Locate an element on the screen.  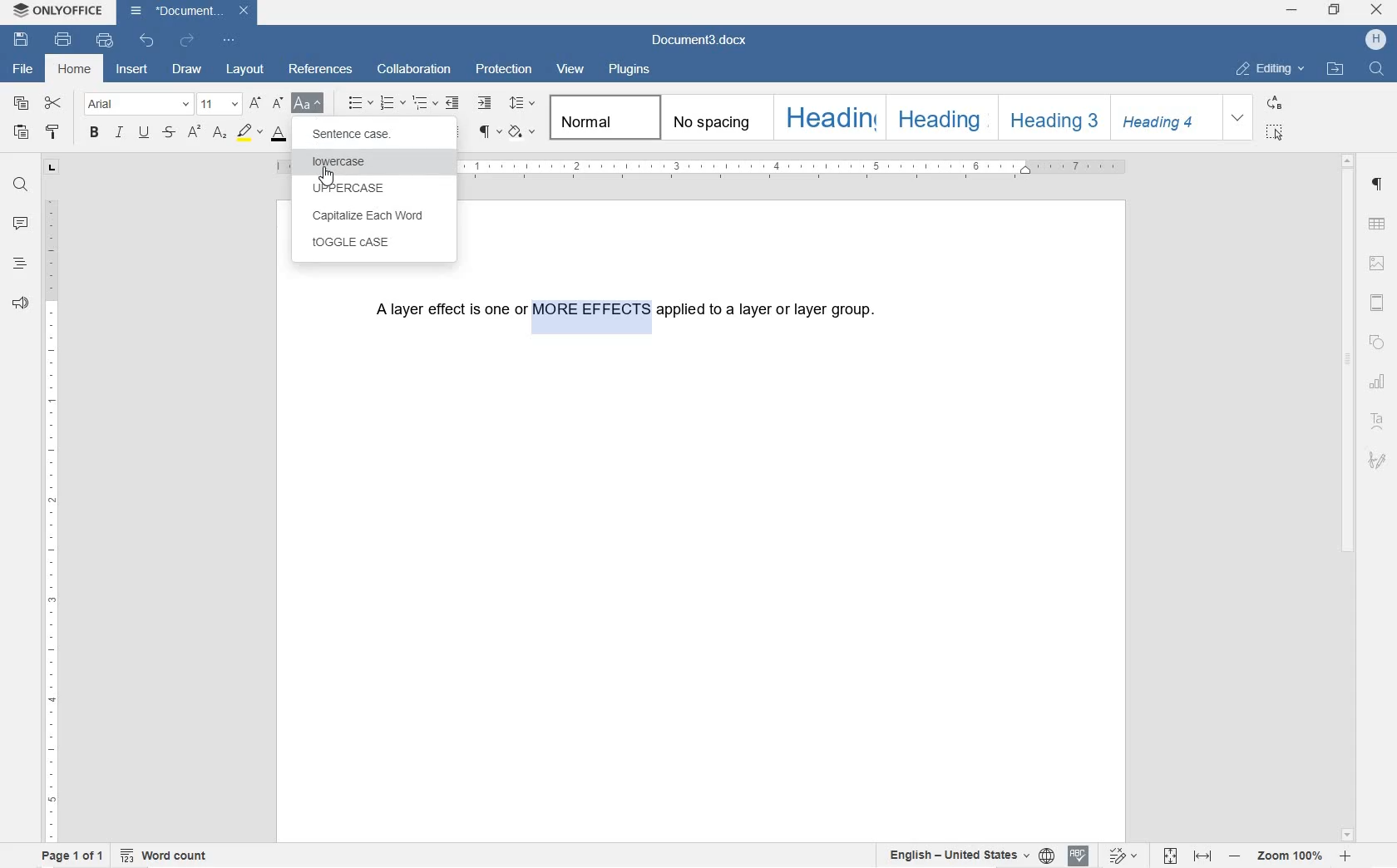
RULER is located at coordinates (51, 518).